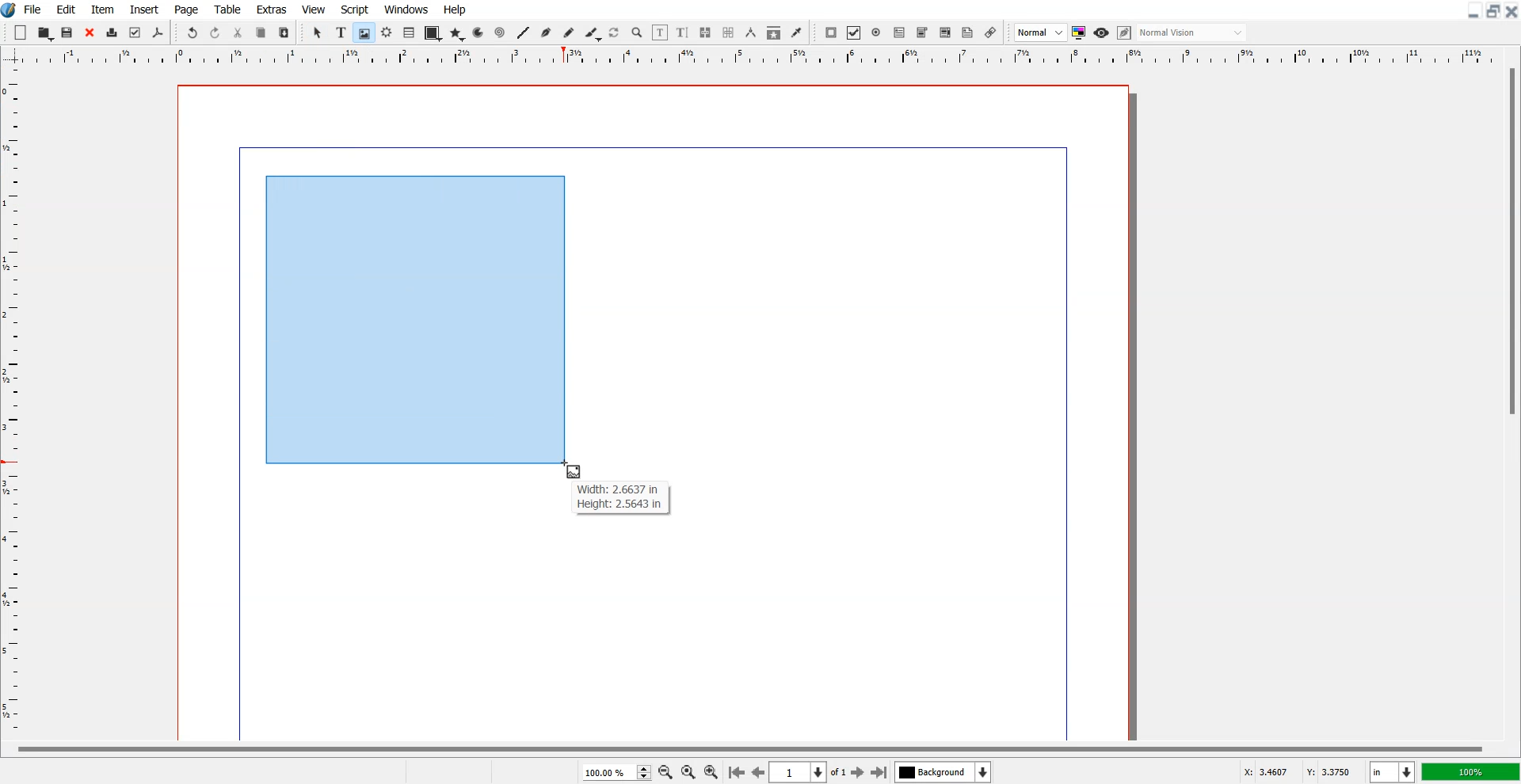  I want to click on Calligraphic Line, so click(592, 33).